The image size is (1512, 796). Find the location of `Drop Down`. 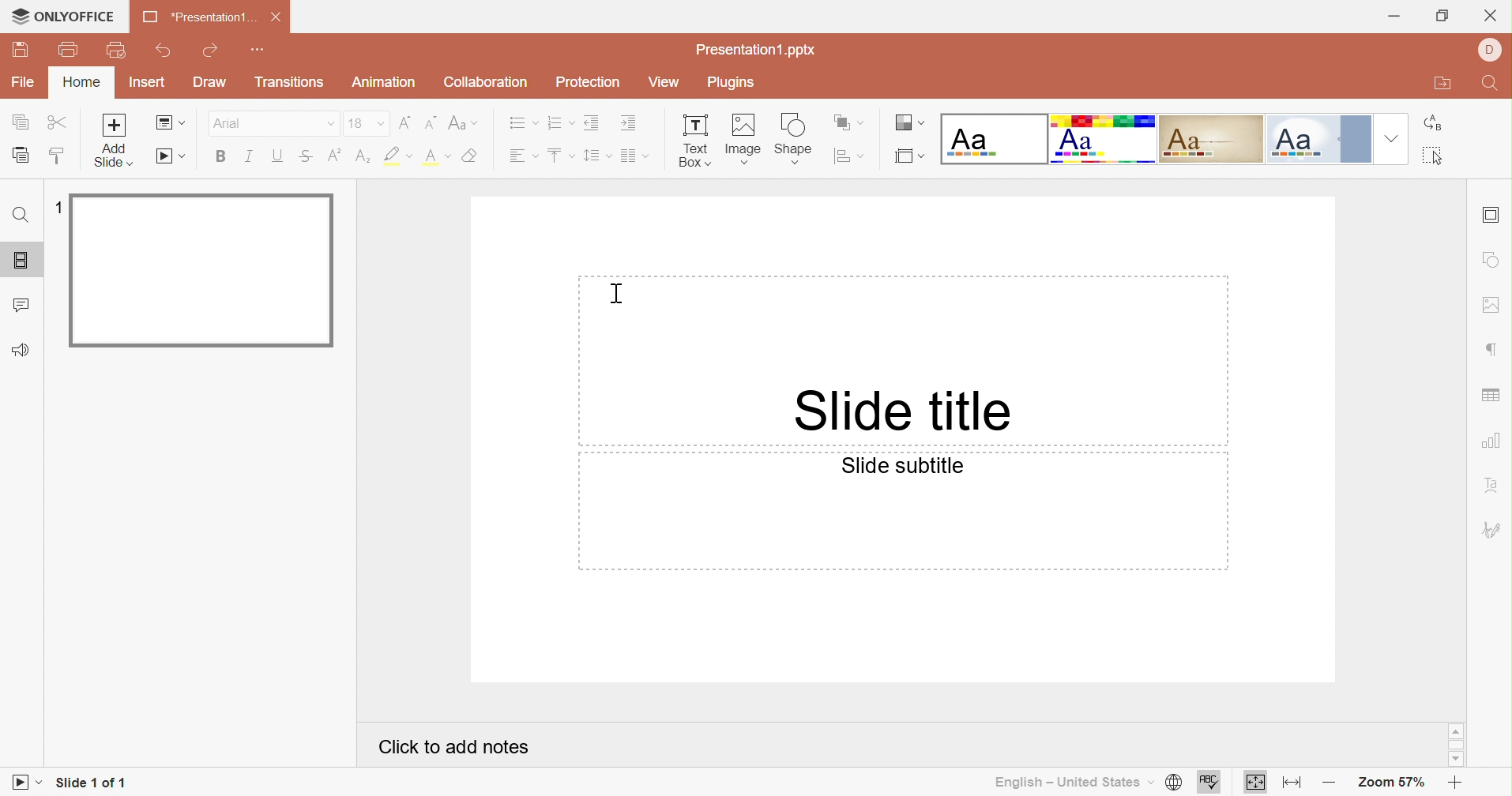

Drop Down is located at coordinates (379, 123).